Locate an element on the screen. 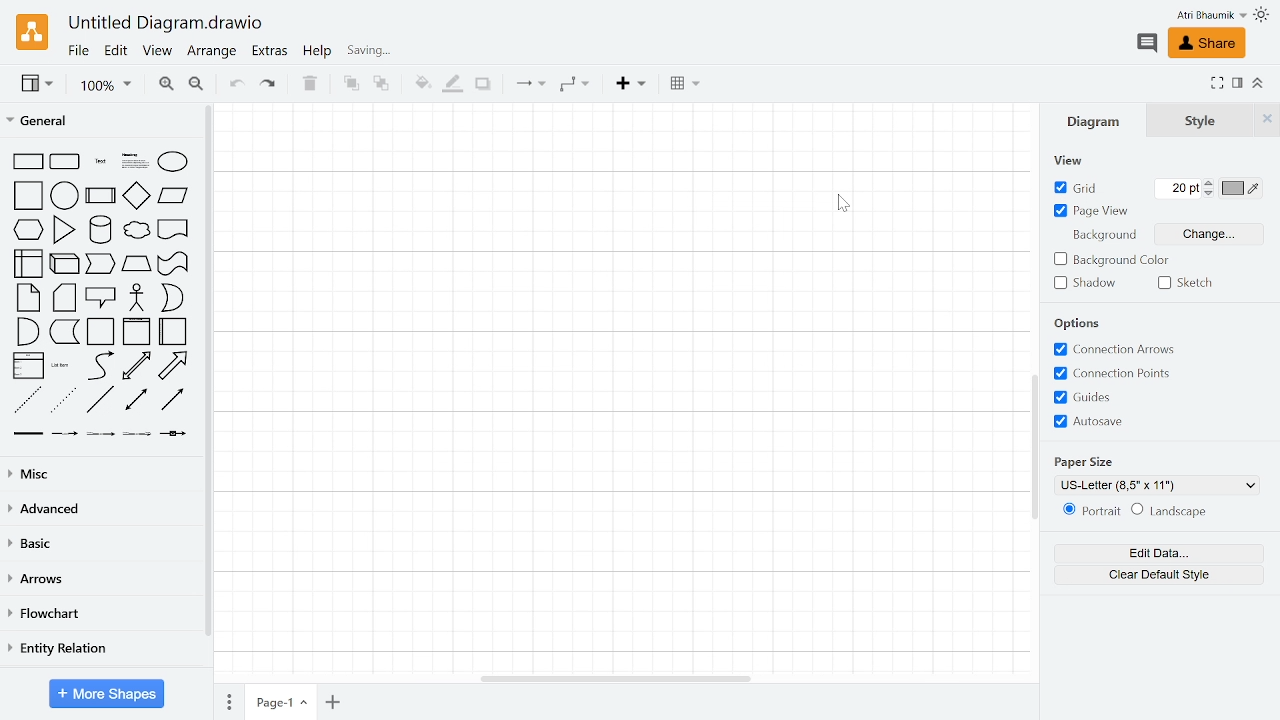  Zoom in is located at coordinates (167, 84).